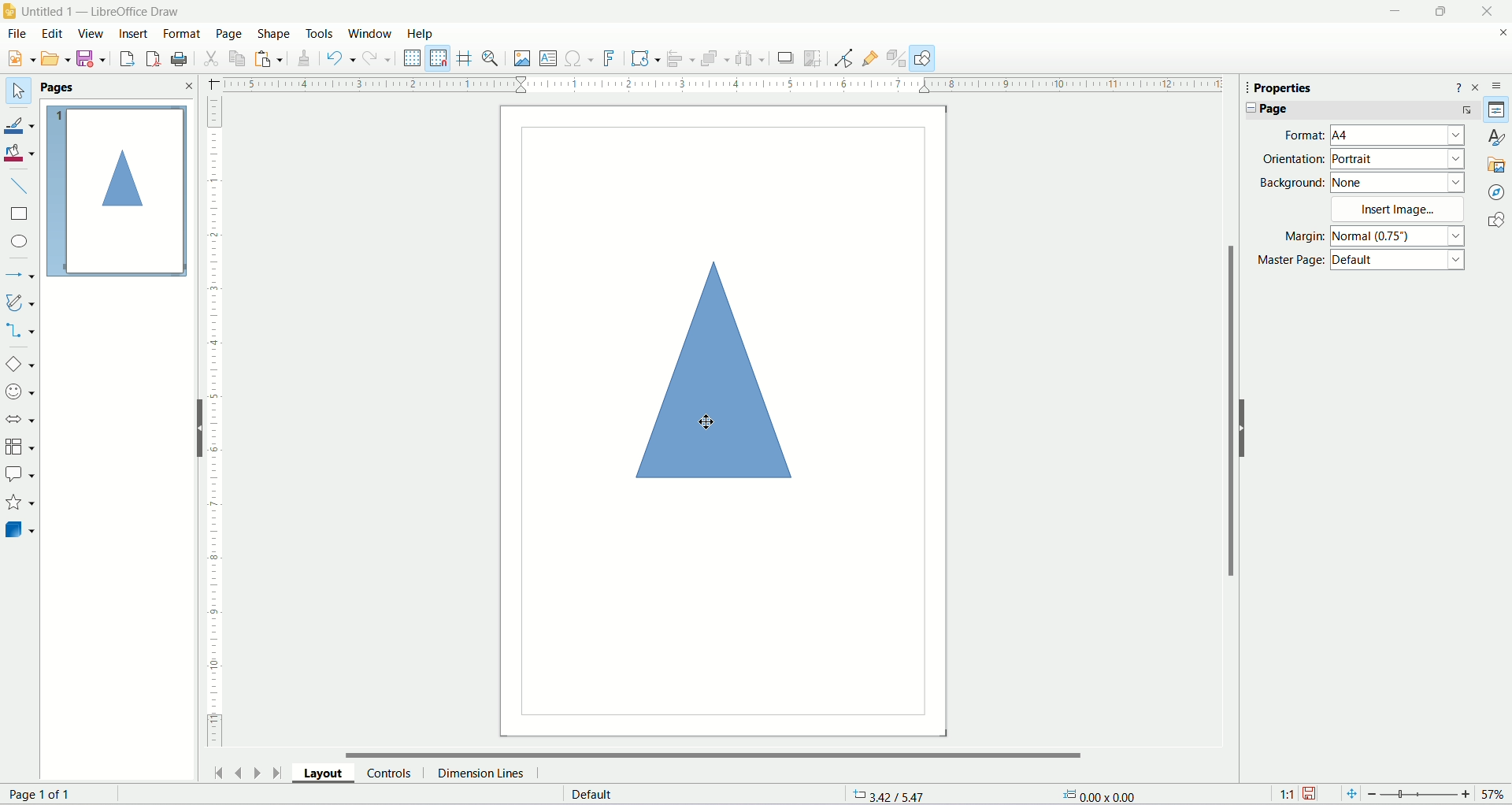 The width and height of the screenshot is (1512, 805). What do you see at coordinates (1277, 88) in the screenshot?
I see `Properties` at bounding box center [1277, 88].